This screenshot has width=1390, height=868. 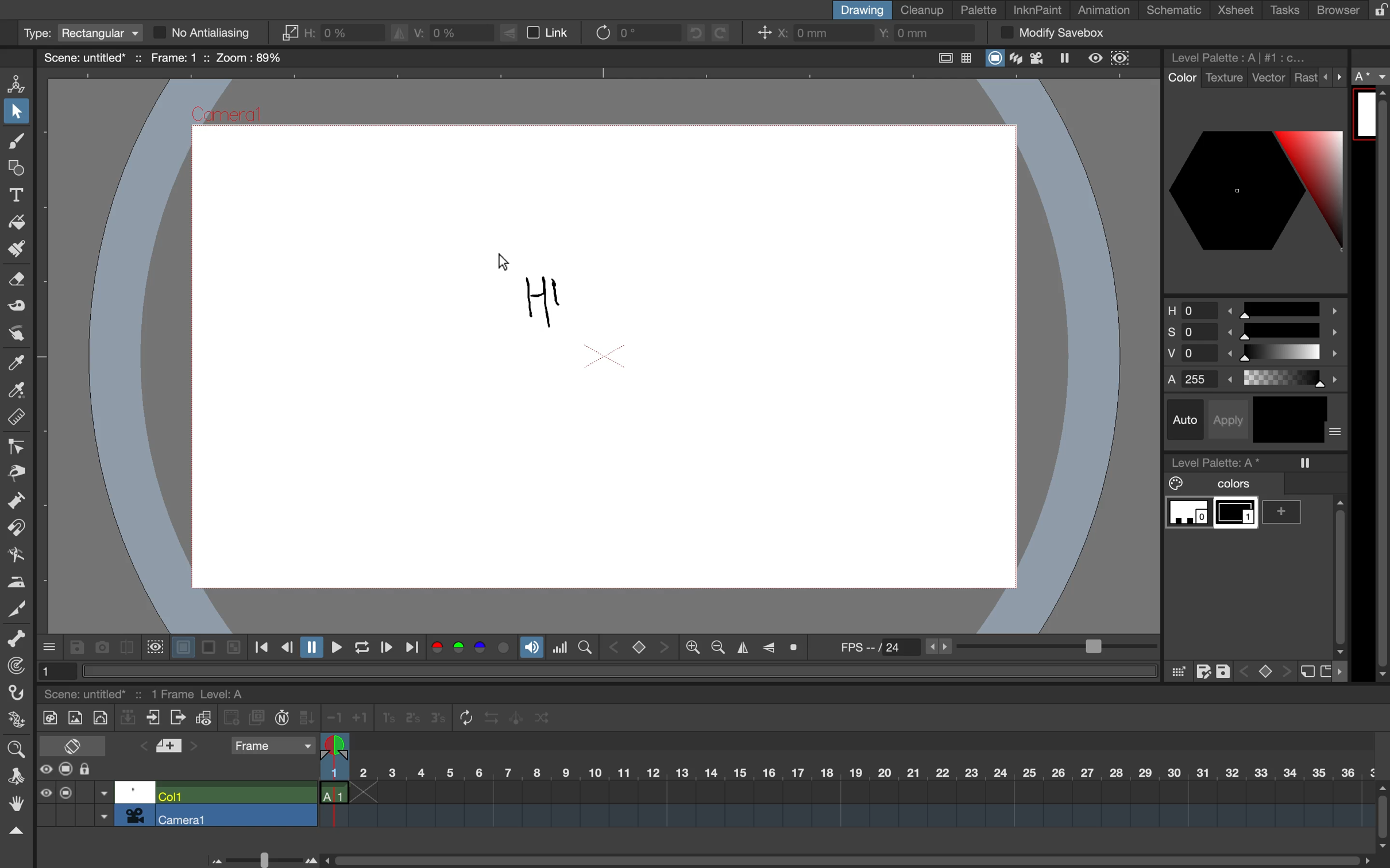 I want to click on animate tool, so click(x=20, y=83).